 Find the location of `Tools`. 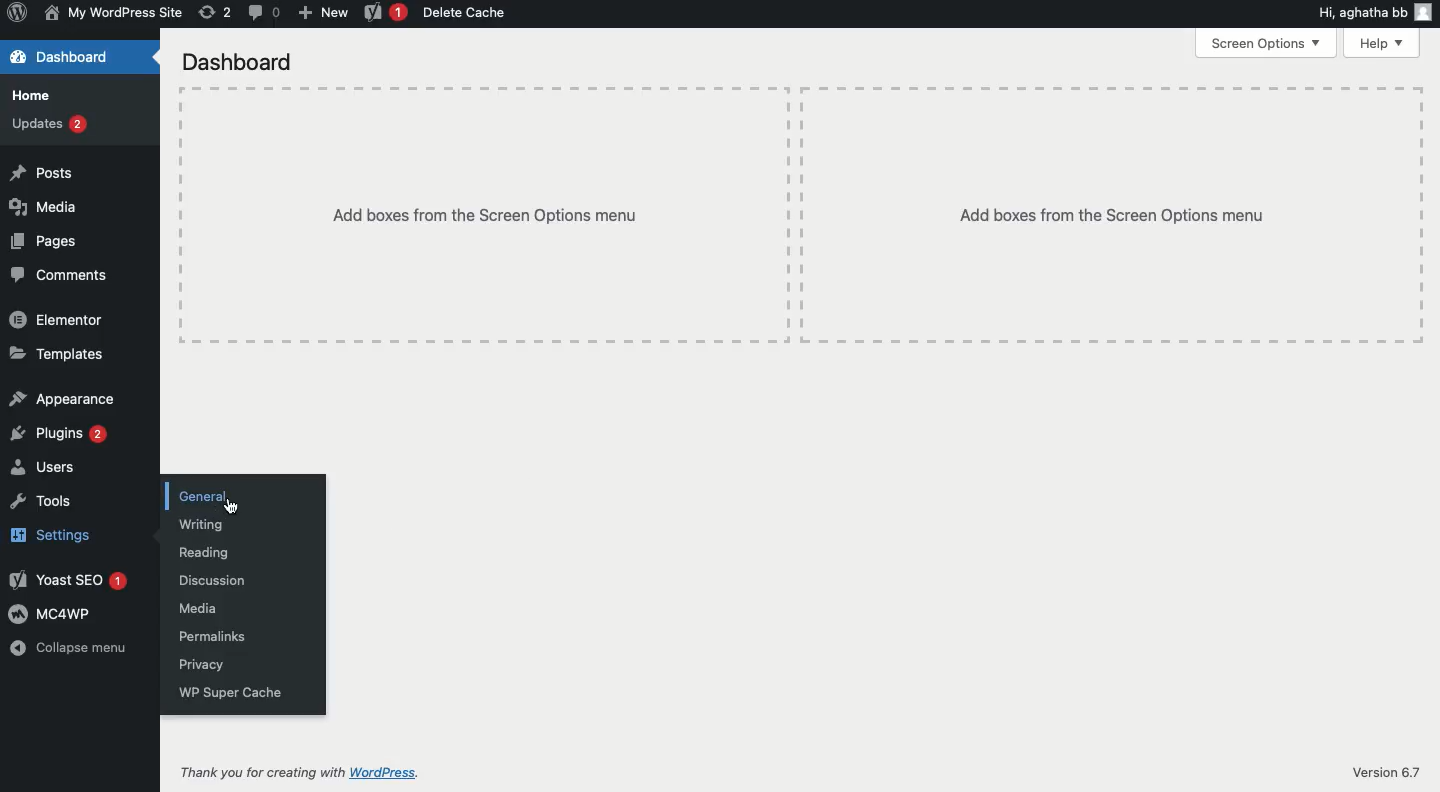

Tools is located at coordinates (40, 501).